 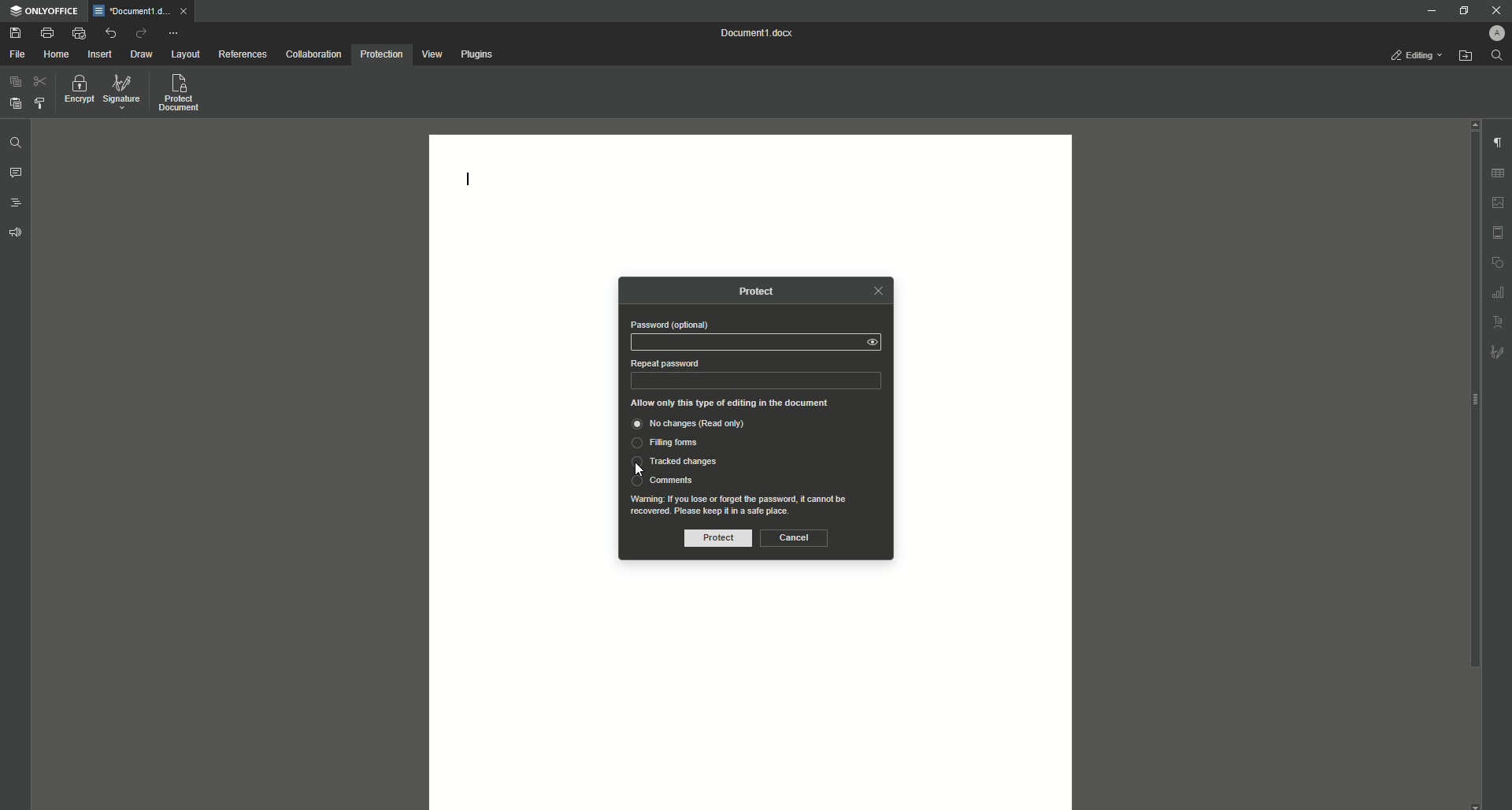 What do you see at coordinates (873, 341) in the screenshot?
I see `View Password` at bounding box center [873, 341].